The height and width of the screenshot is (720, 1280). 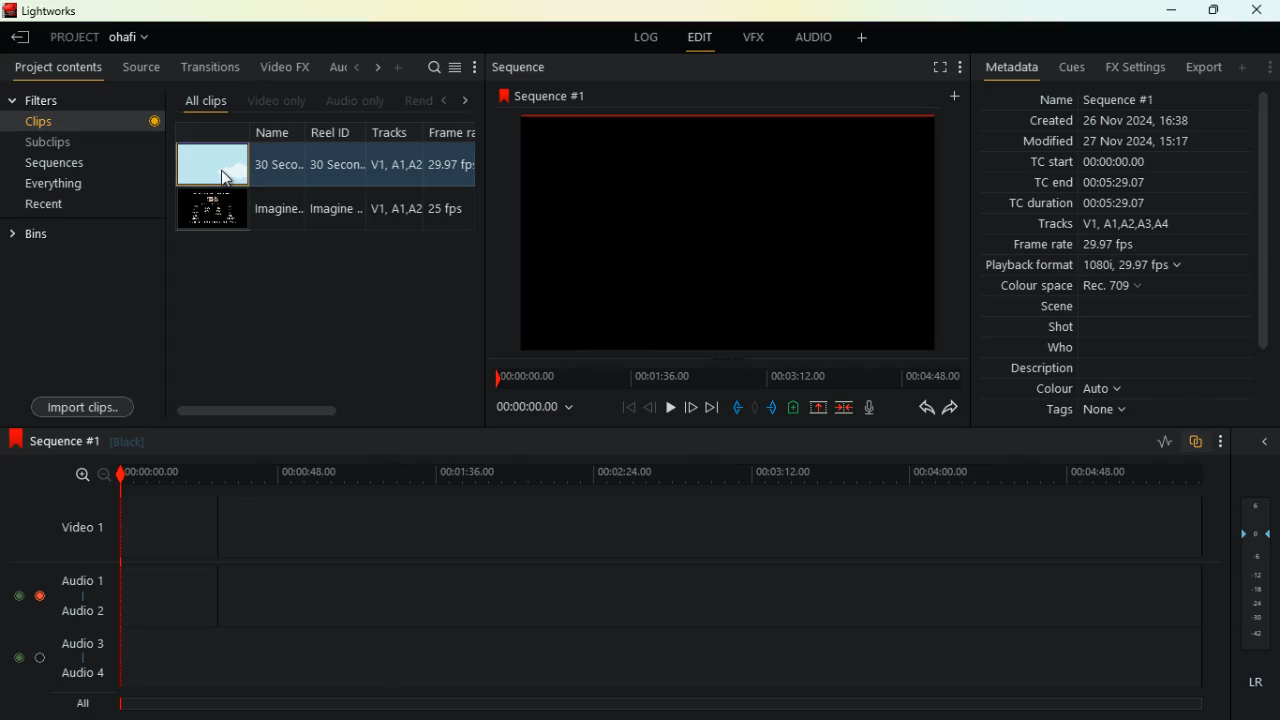 I want to click on left, so click(x=358, y=66).